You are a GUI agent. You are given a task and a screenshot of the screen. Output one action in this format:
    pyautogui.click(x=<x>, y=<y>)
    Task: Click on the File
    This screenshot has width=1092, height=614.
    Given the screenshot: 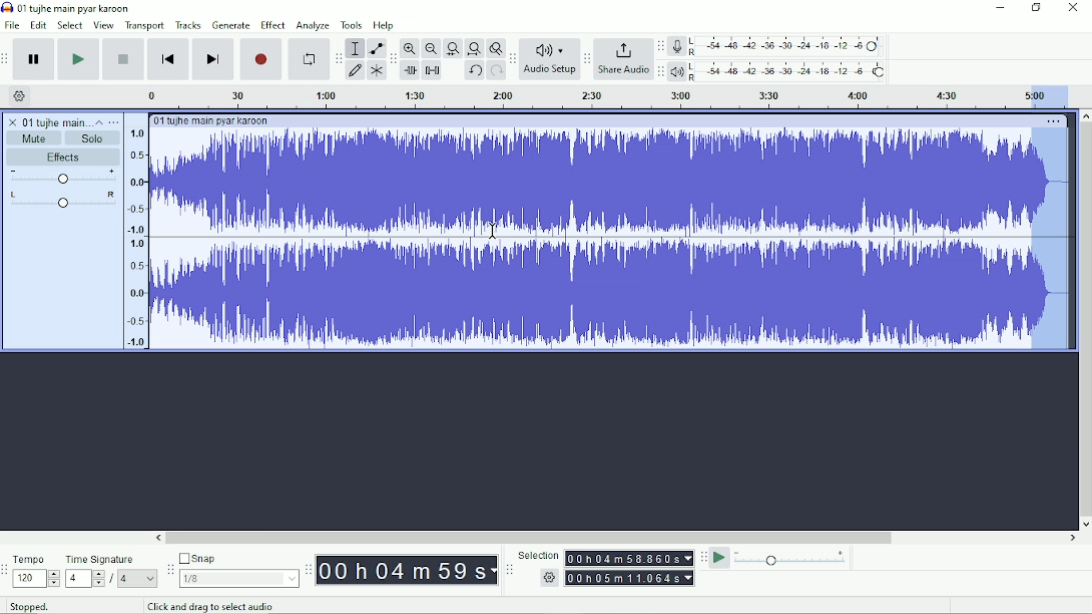 What is the action you would take?
    pyautogui.click(x=13, y=26)
    